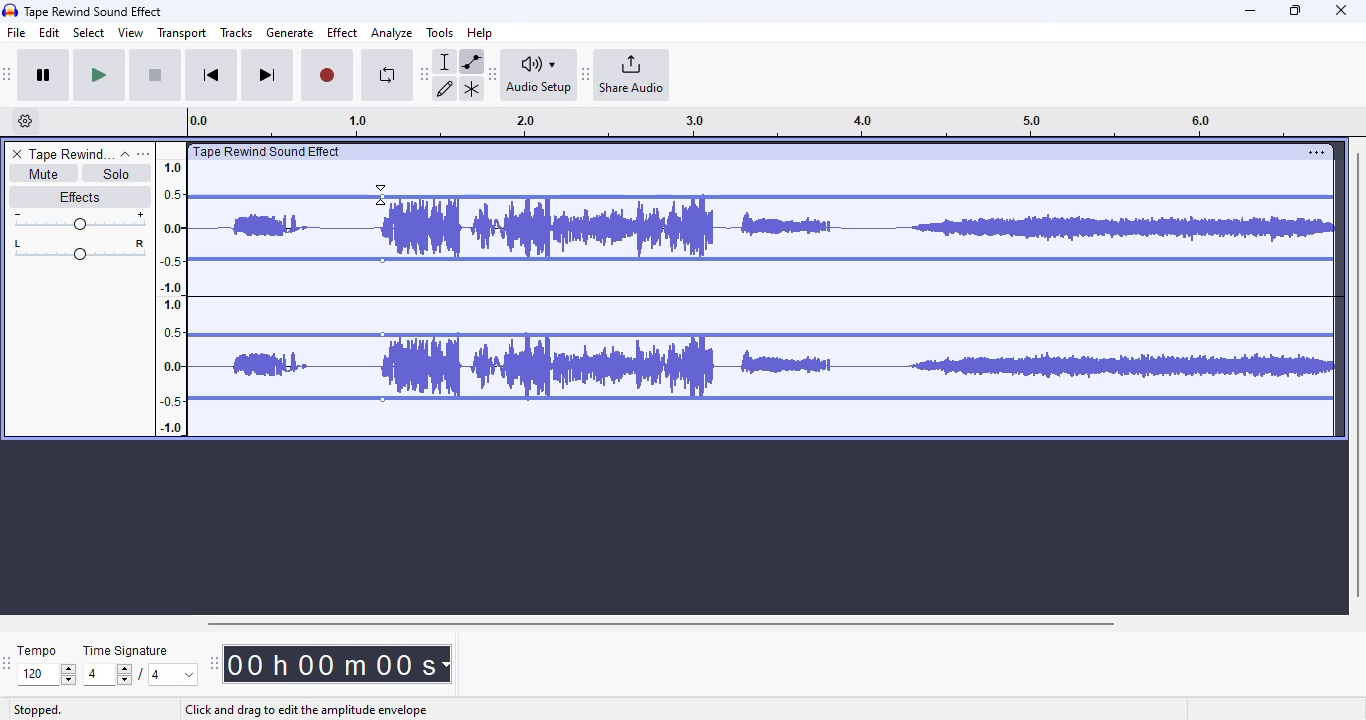 Image resolution: width=1366 pixels, height=720 pixels. Describe the element at coordinates (17, 33) in the screenshot. I see `file` at that location.